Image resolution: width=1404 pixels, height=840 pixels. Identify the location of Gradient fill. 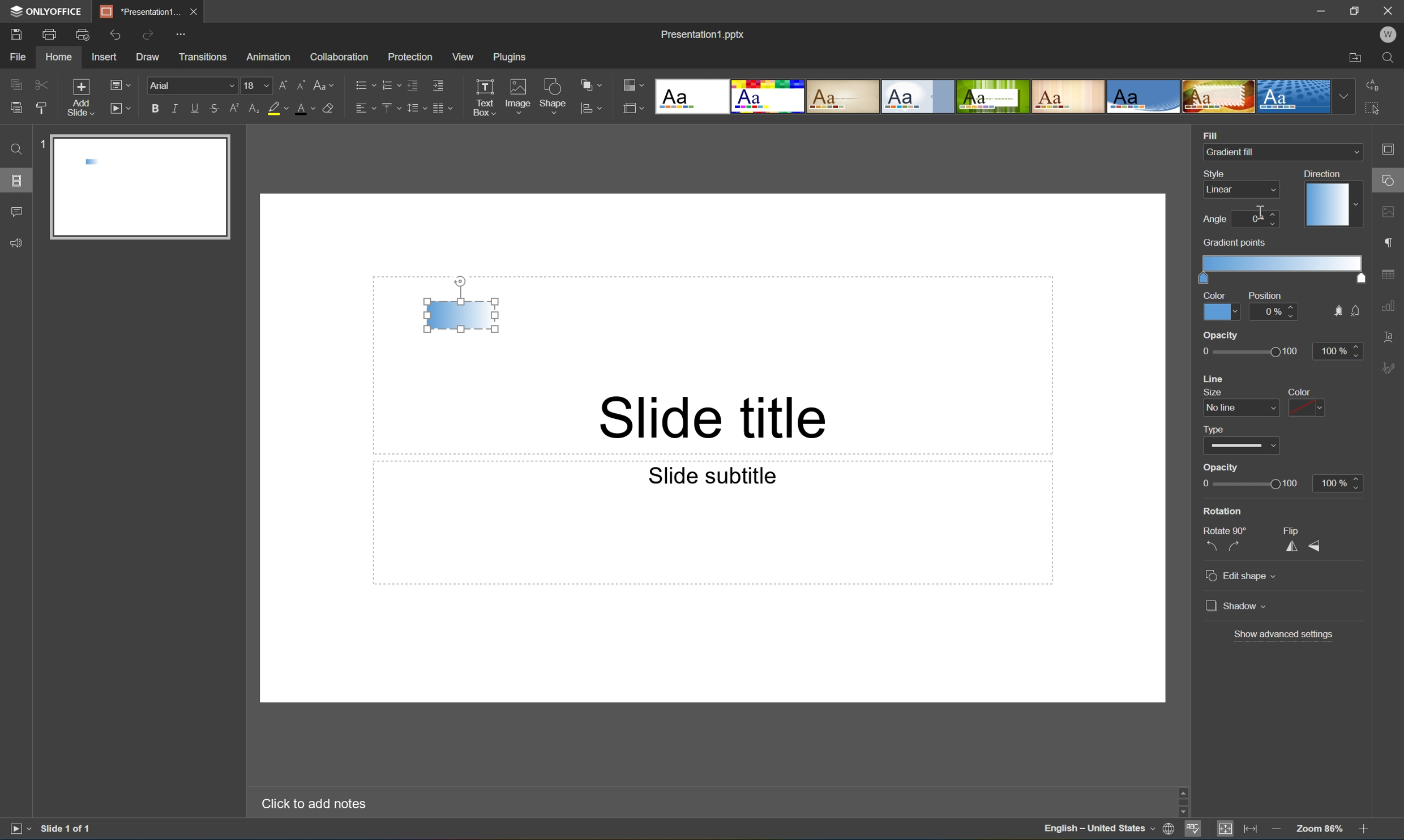
(1233, 152).